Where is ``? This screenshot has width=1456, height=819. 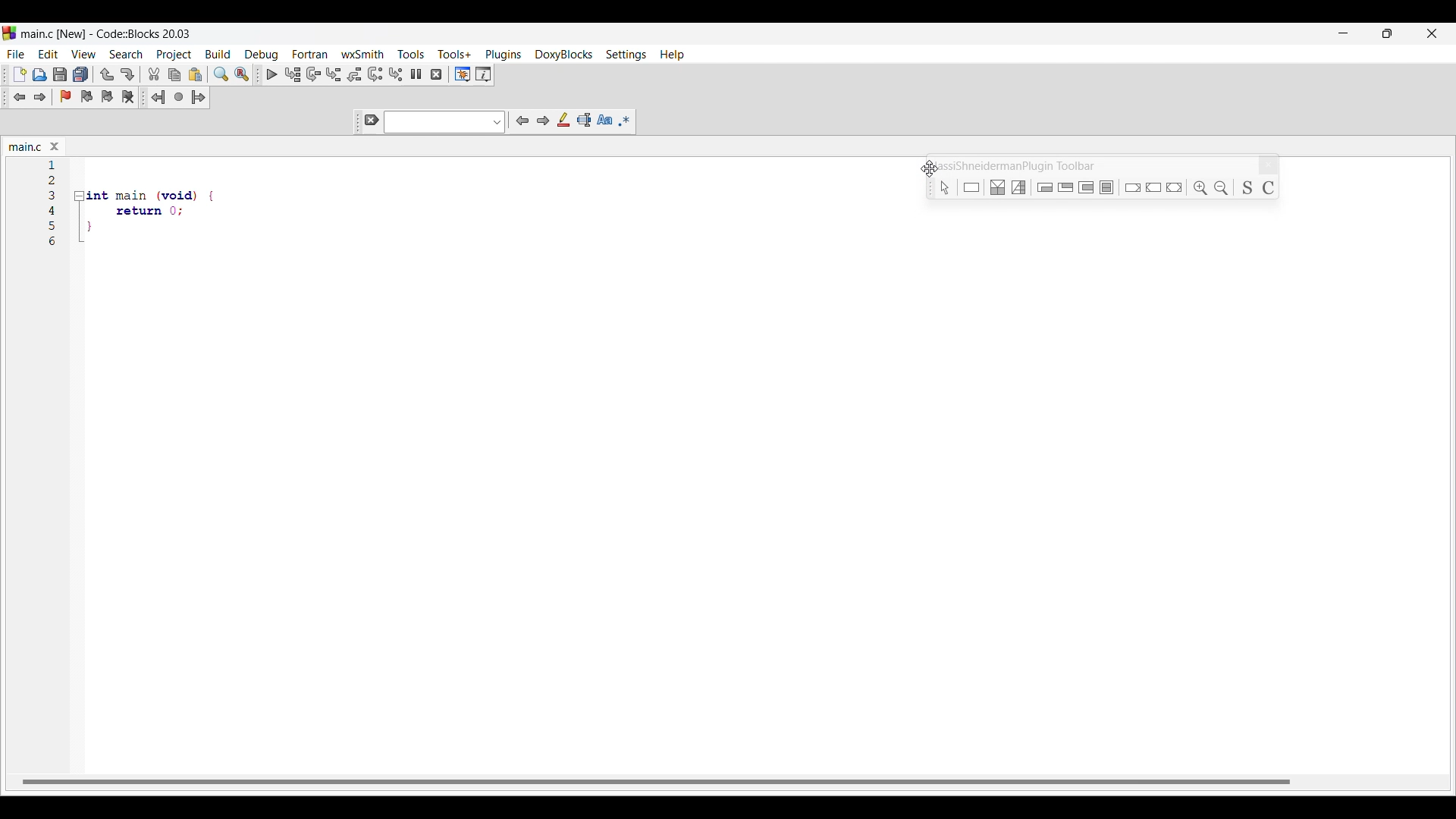  is located at coordinates (52, 180).